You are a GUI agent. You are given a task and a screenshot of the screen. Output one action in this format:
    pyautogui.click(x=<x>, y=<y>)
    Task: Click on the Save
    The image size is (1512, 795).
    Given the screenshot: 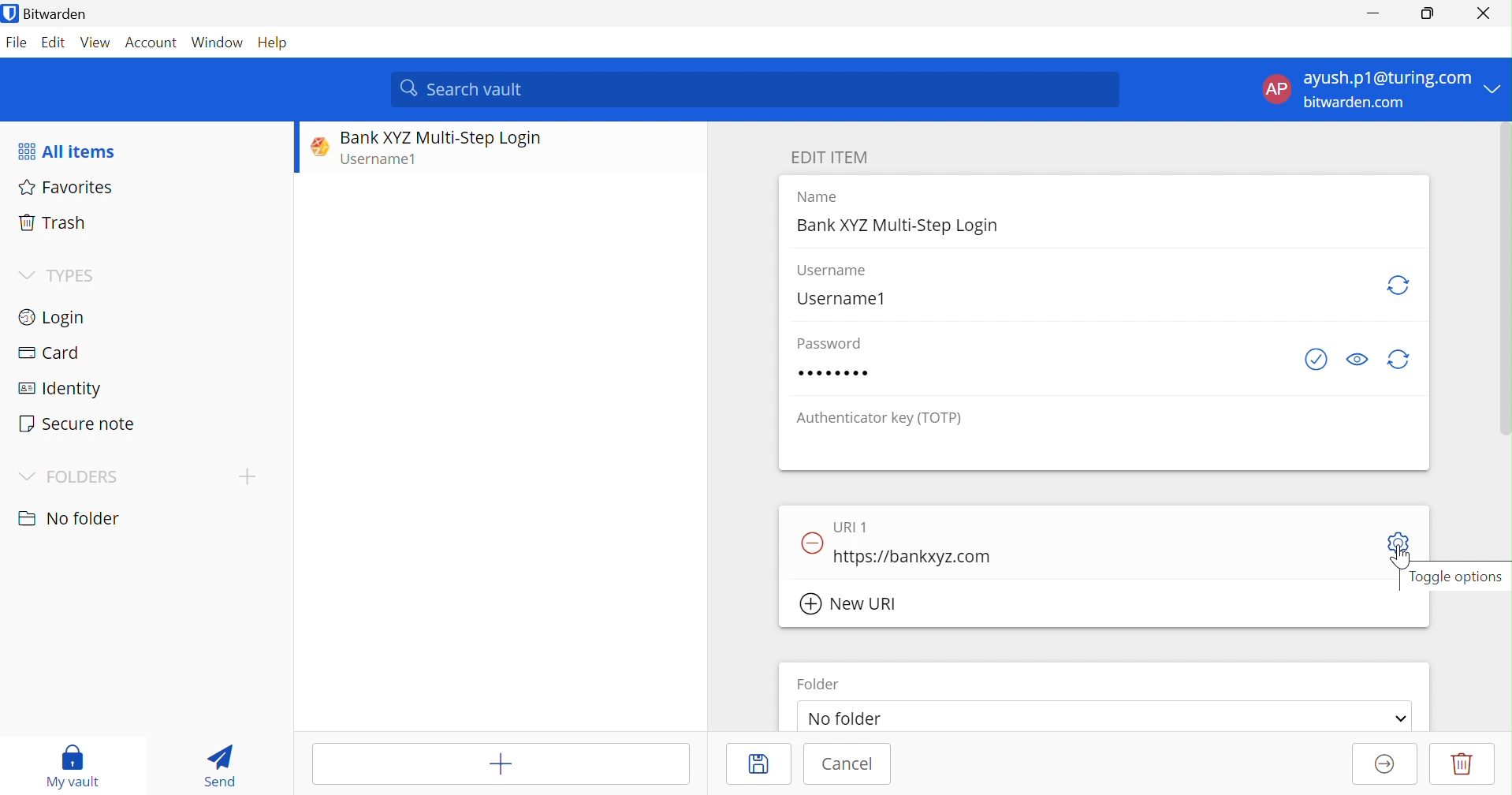 What is the action you would take?
    pyautogui.click(x=763, y=763)
    